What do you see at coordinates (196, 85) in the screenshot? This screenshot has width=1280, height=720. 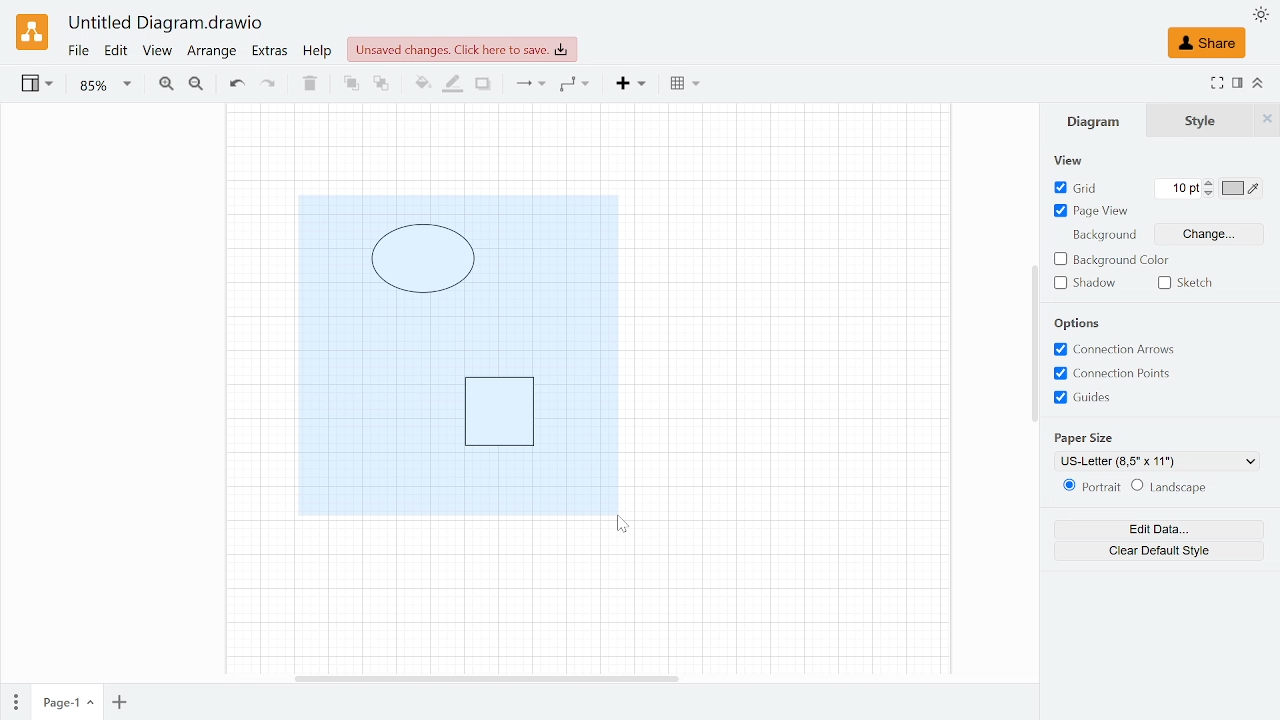 I see `Zoom out` at bounding box center [196, 85].